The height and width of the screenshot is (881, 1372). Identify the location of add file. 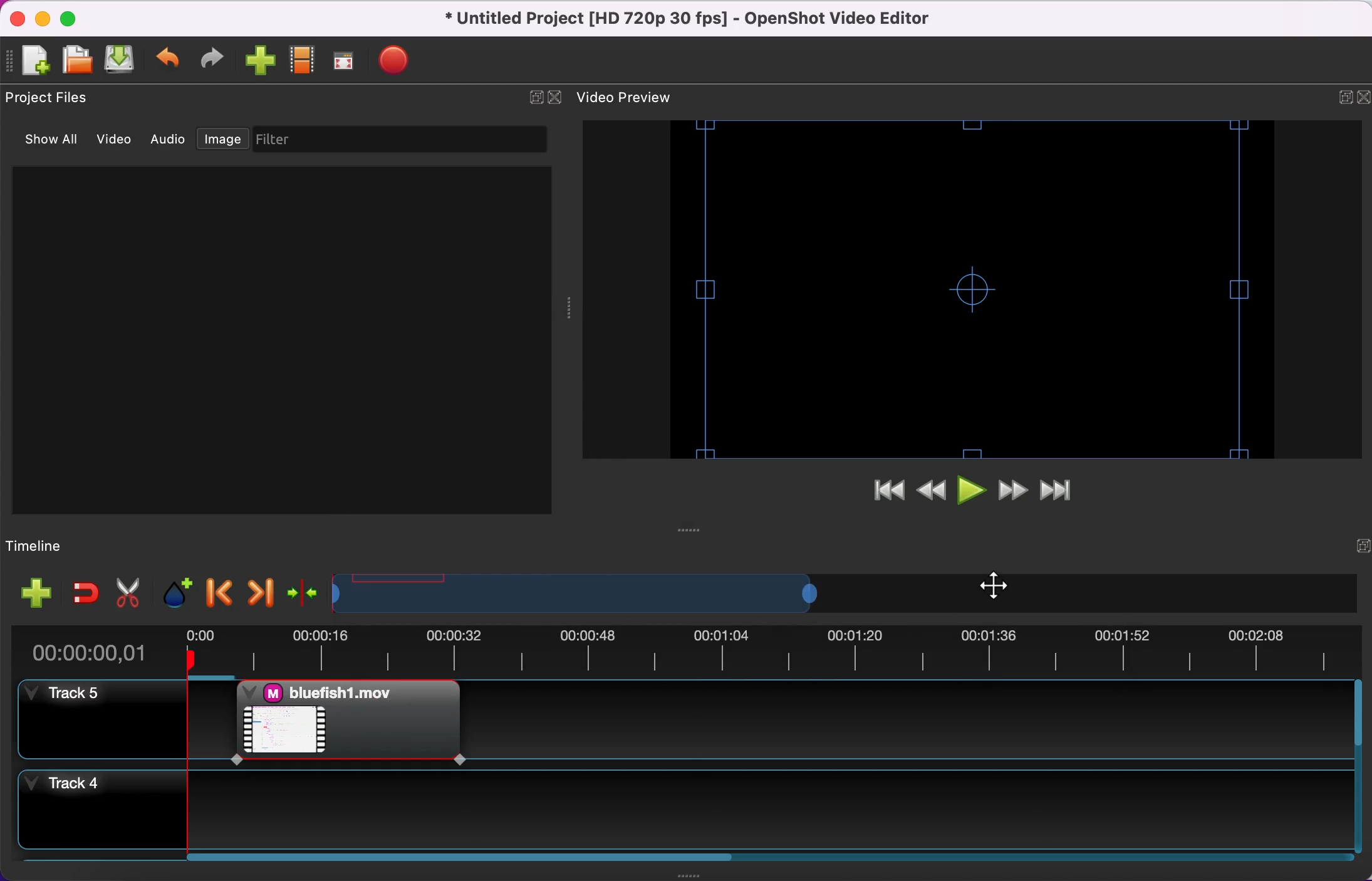
(38, 593).